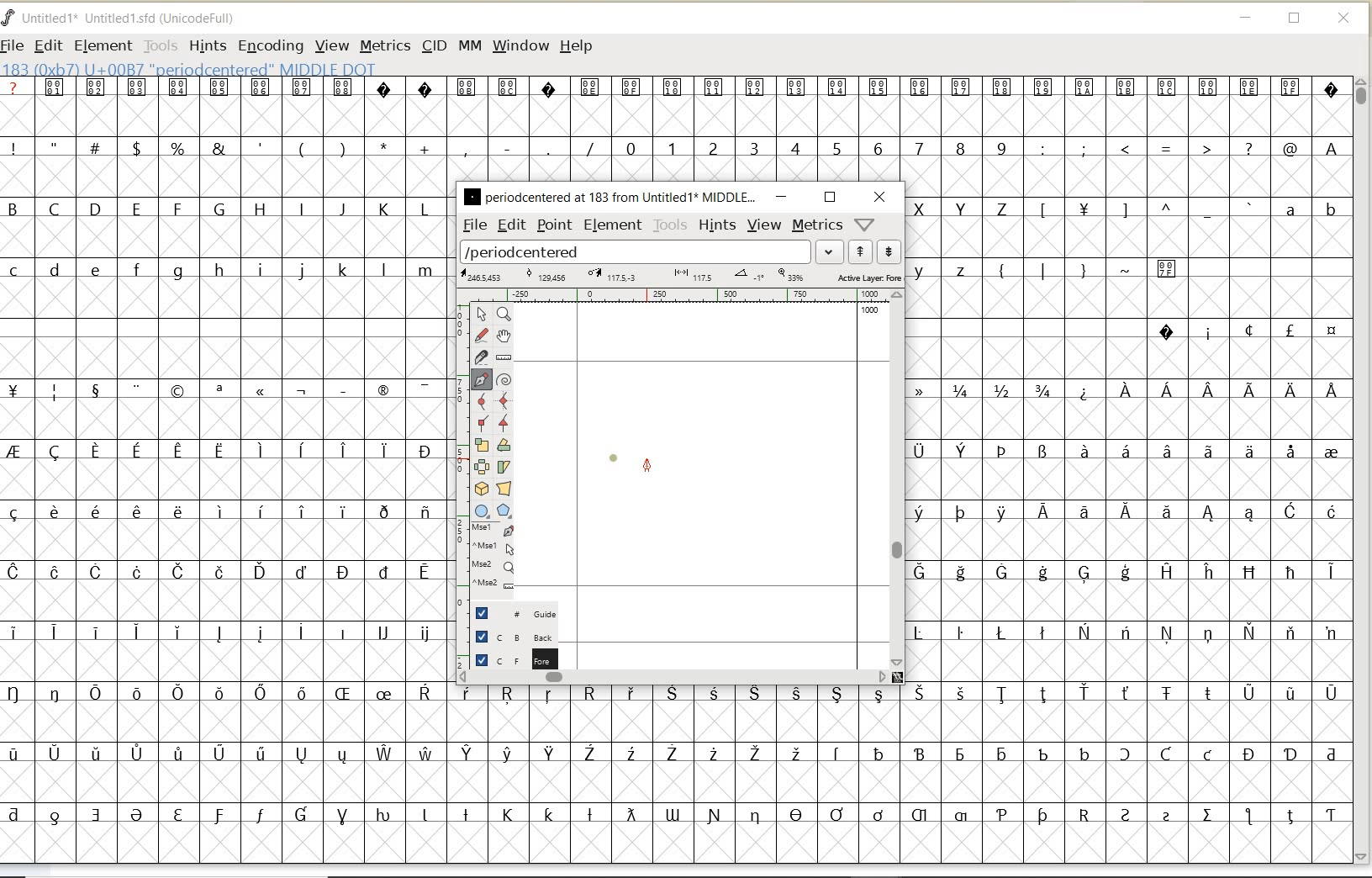 Image resolution: width=1372 pixels, height=878 pixels. What do you see at coordinates (964, 208) in the screenshot?
I see `uppercase letters` at bounding box center [964, 208].